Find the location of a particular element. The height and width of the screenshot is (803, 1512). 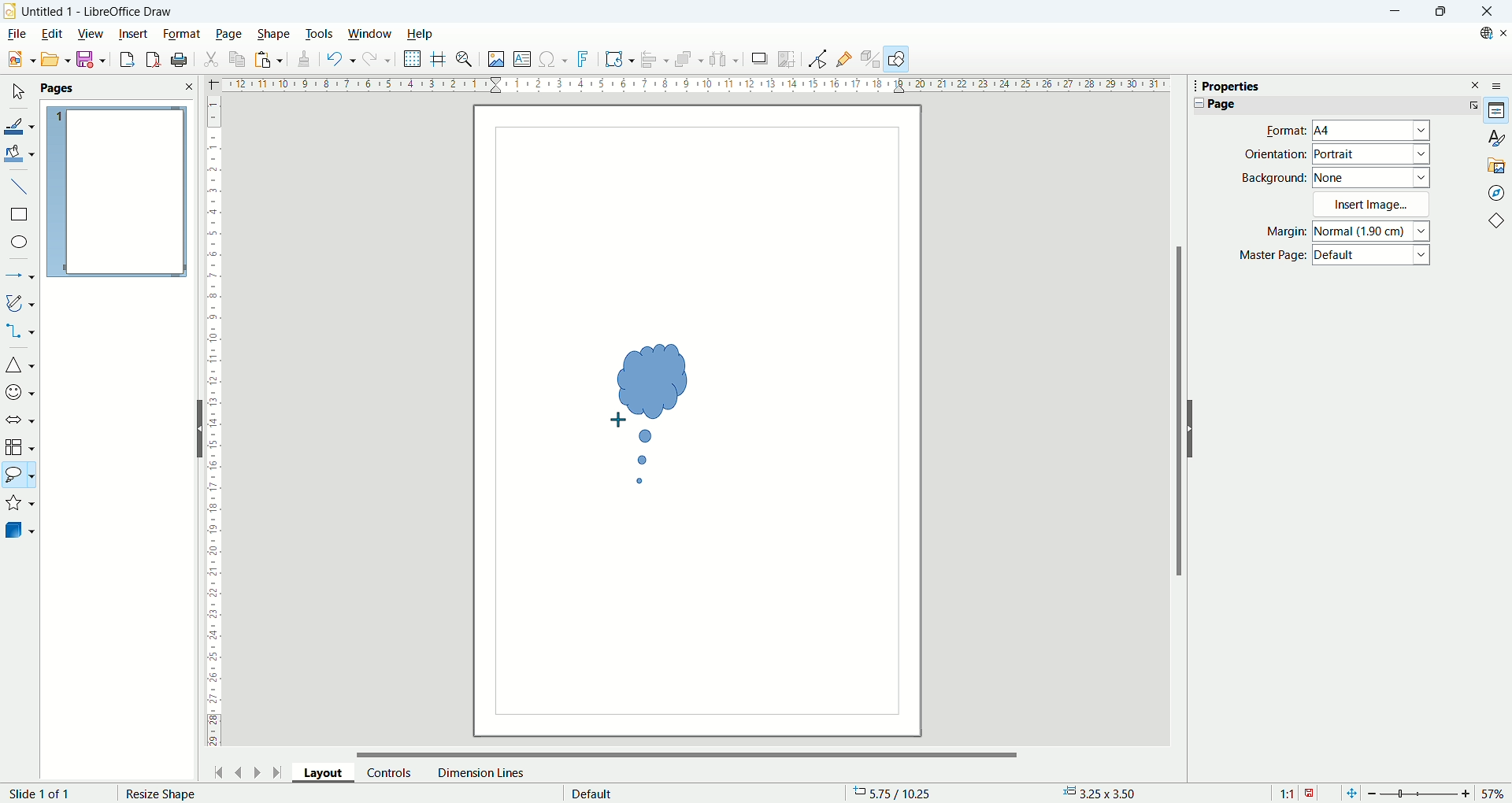

insert is located at coordinates (134, 32).